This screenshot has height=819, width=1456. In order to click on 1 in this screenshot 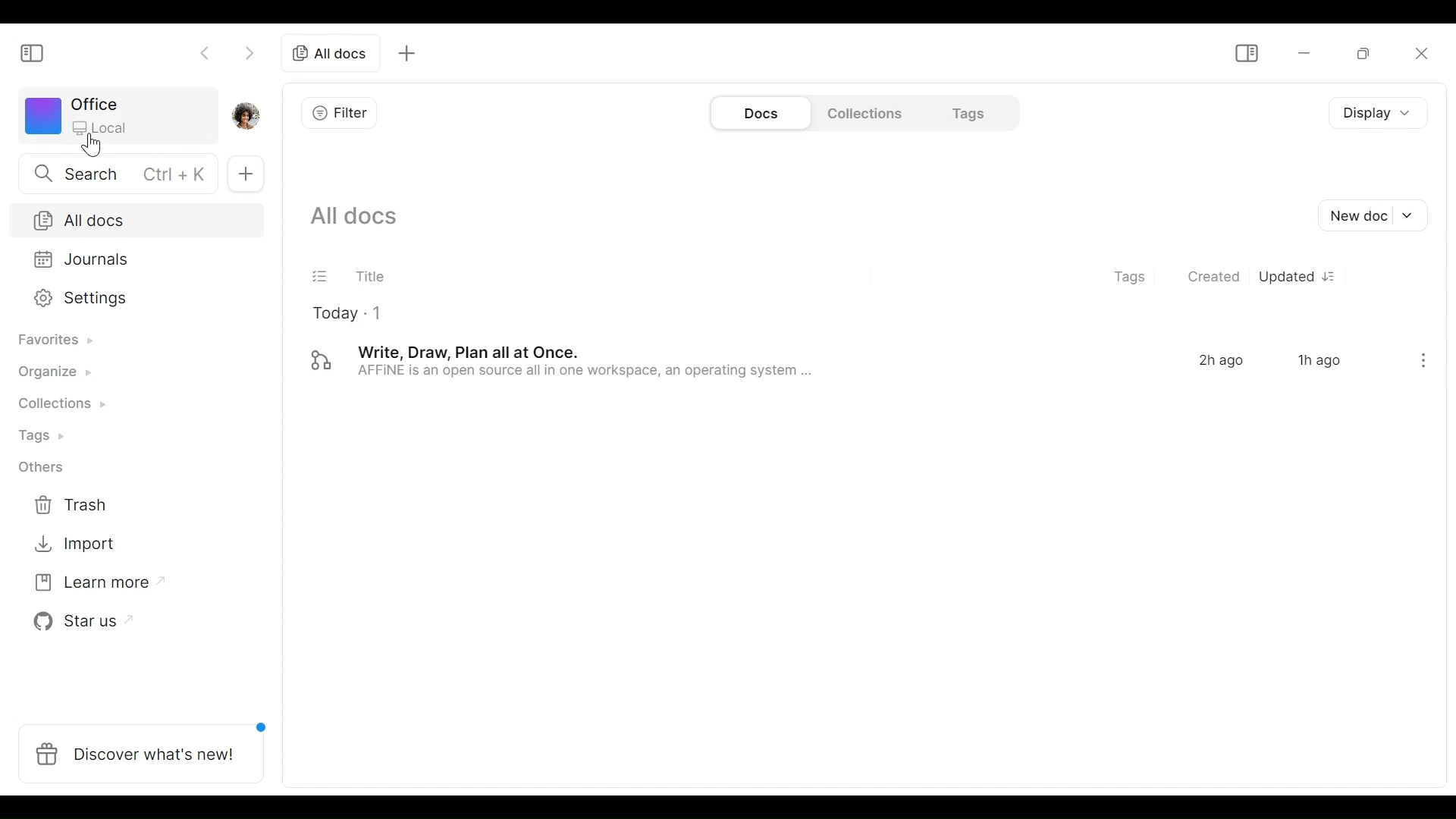, I will do `click(379, 313)`.